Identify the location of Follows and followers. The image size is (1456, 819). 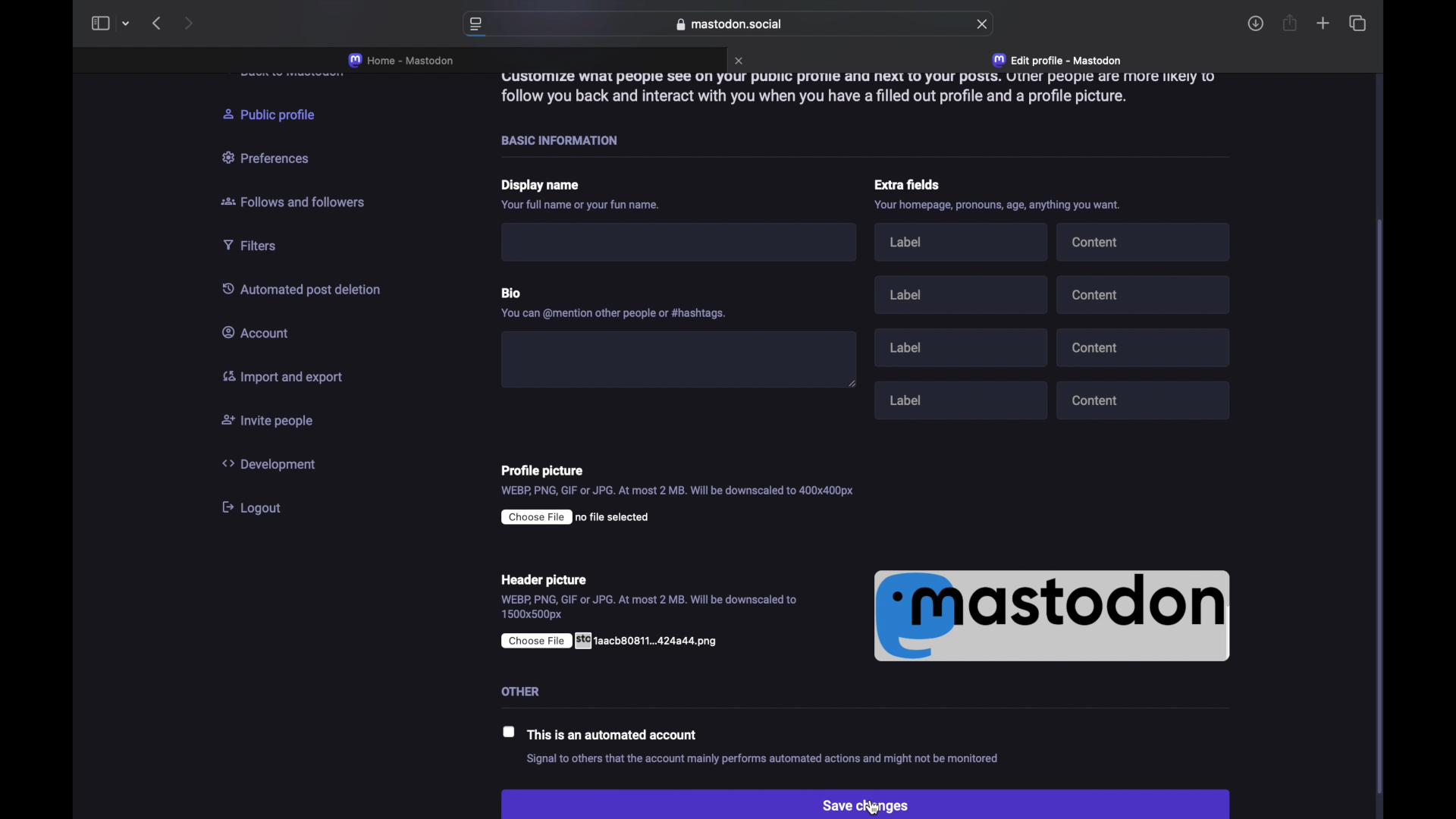
(297, 201).